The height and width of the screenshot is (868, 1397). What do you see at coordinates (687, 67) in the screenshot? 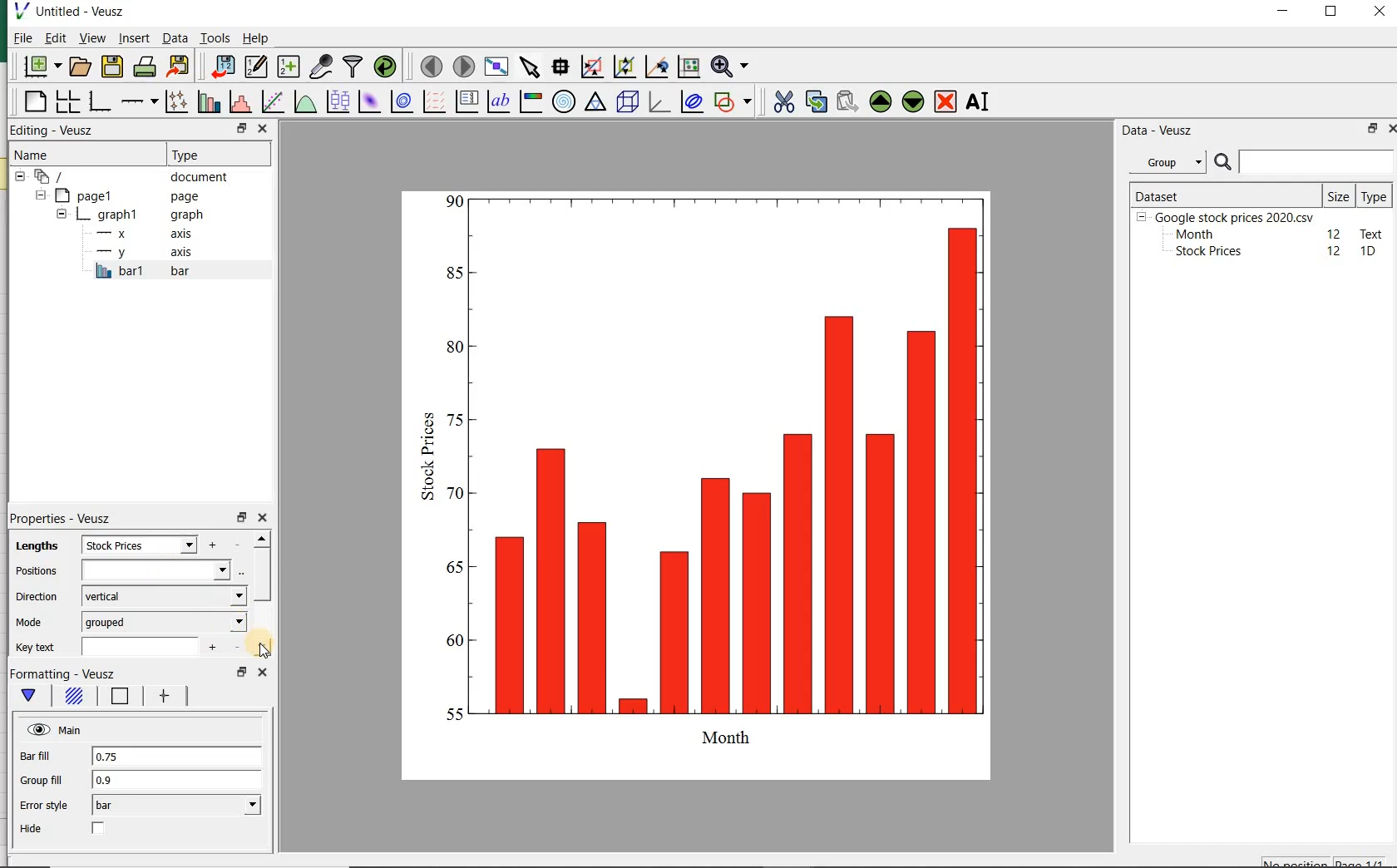
I see `click to reset graph axes` at bounding box center [687, 67].